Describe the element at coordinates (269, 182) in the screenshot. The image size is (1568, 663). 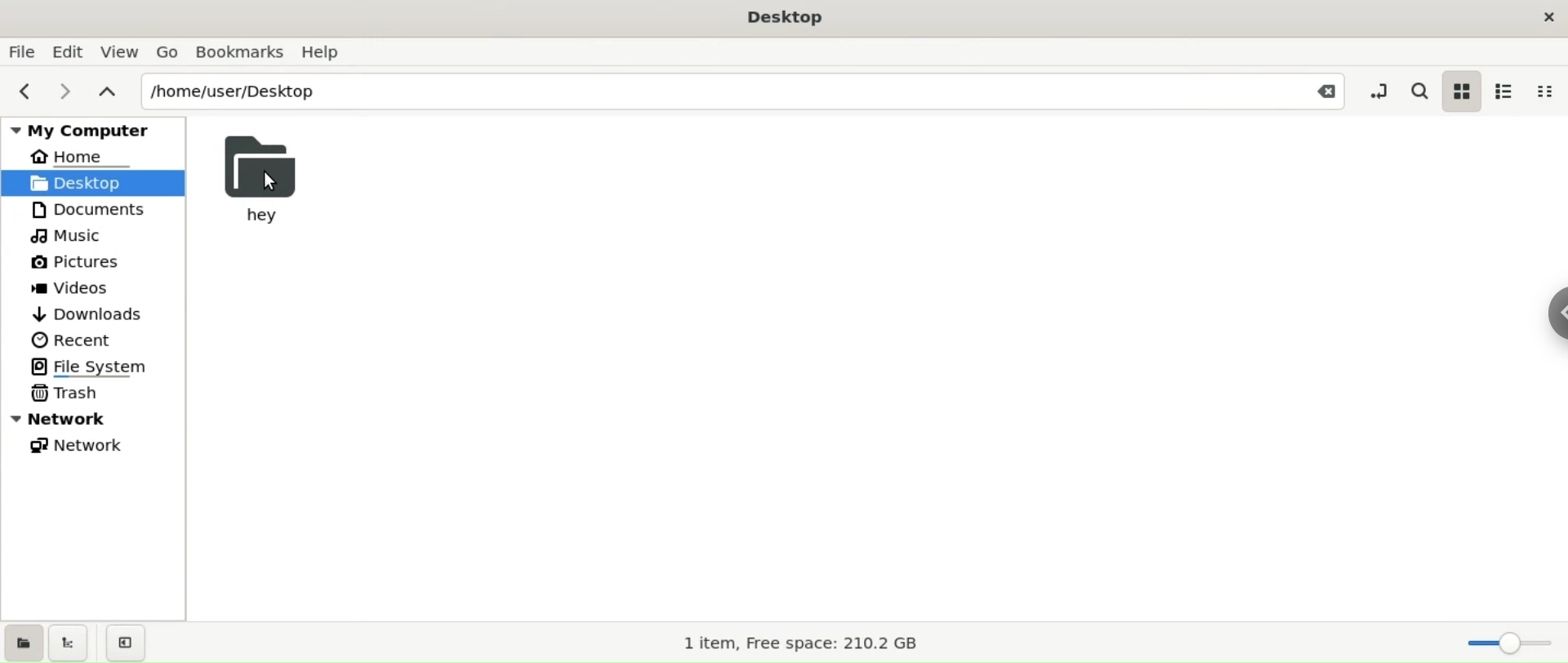
I see `cursor` at that location.